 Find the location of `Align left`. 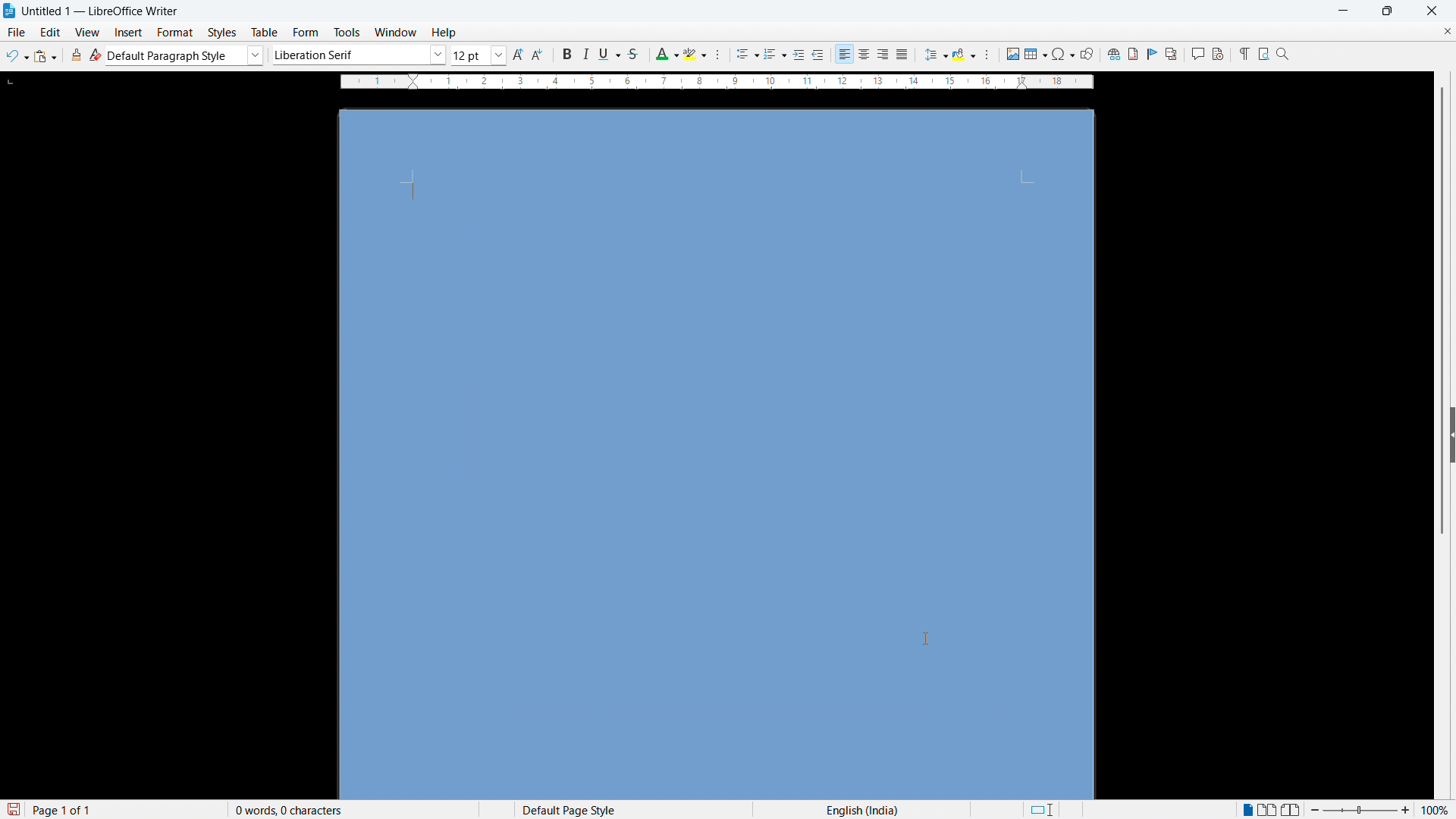

Align left is located at coordinates (845, 55).